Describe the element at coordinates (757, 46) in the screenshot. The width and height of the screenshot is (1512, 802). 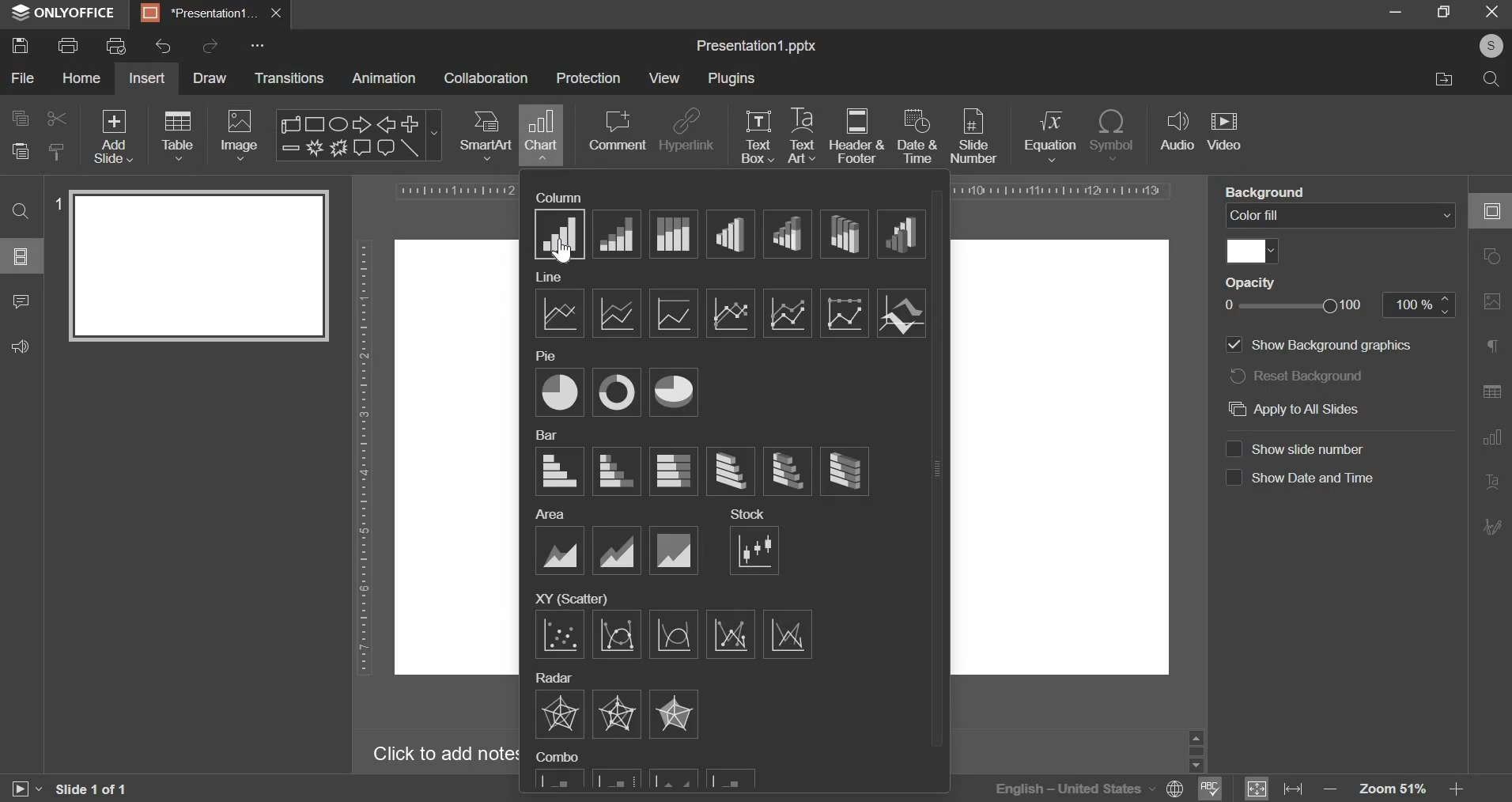
I see `presentation name` at that location.